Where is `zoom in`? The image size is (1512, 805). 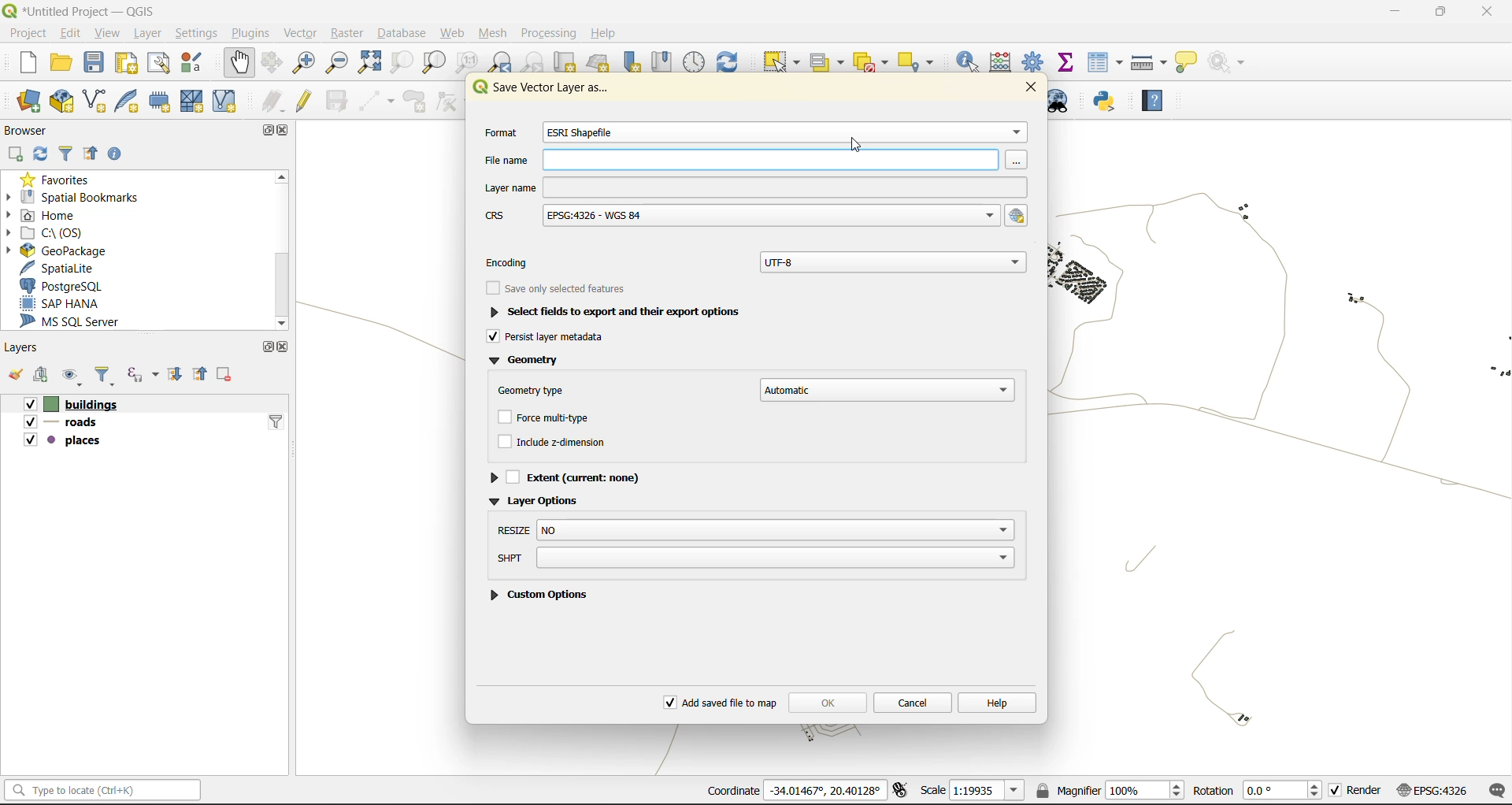
zoom in is located at coordinates (302, 65).